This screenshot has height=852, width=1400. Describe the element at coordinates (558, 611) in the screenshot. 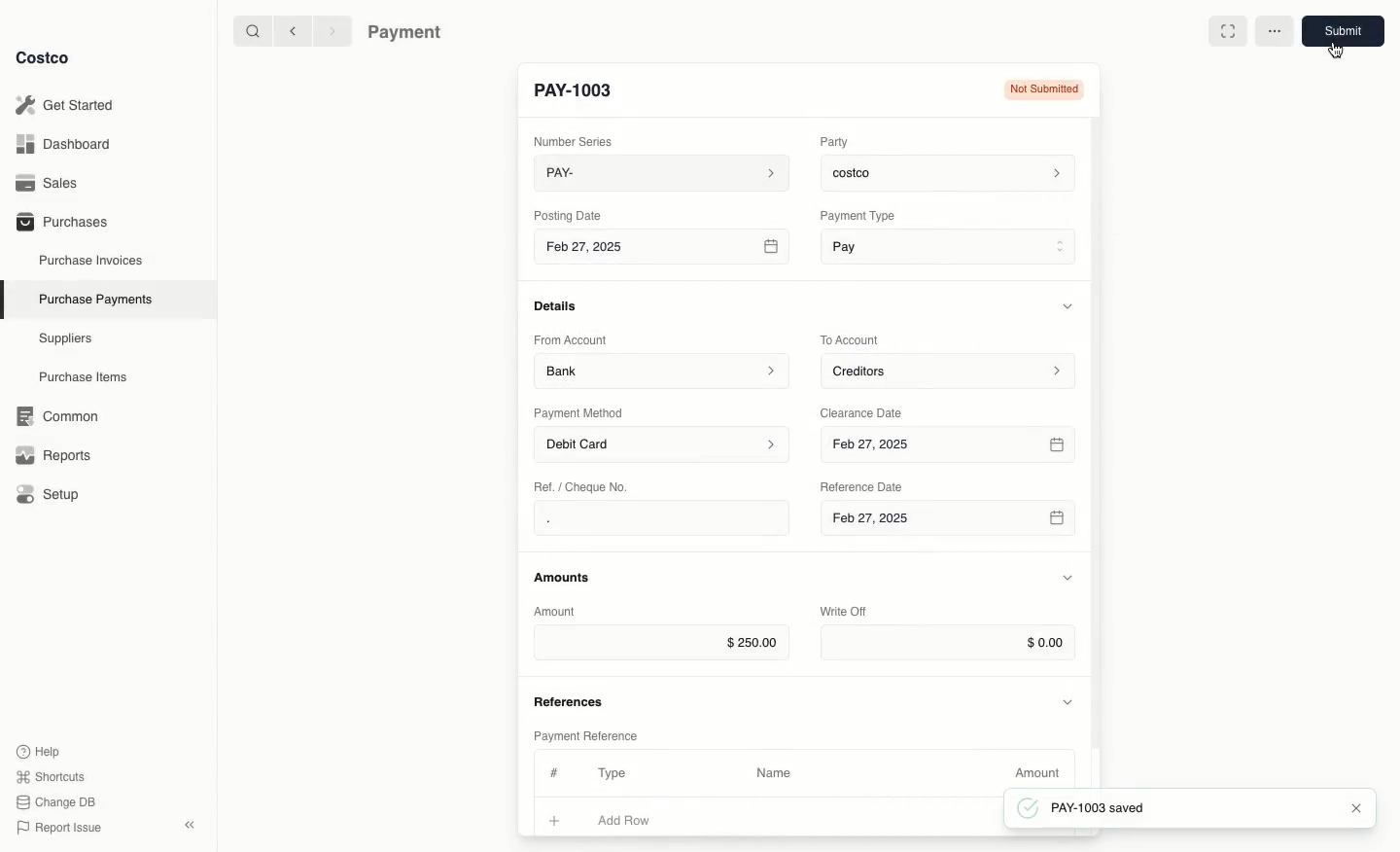

I see `Amount` at that location.